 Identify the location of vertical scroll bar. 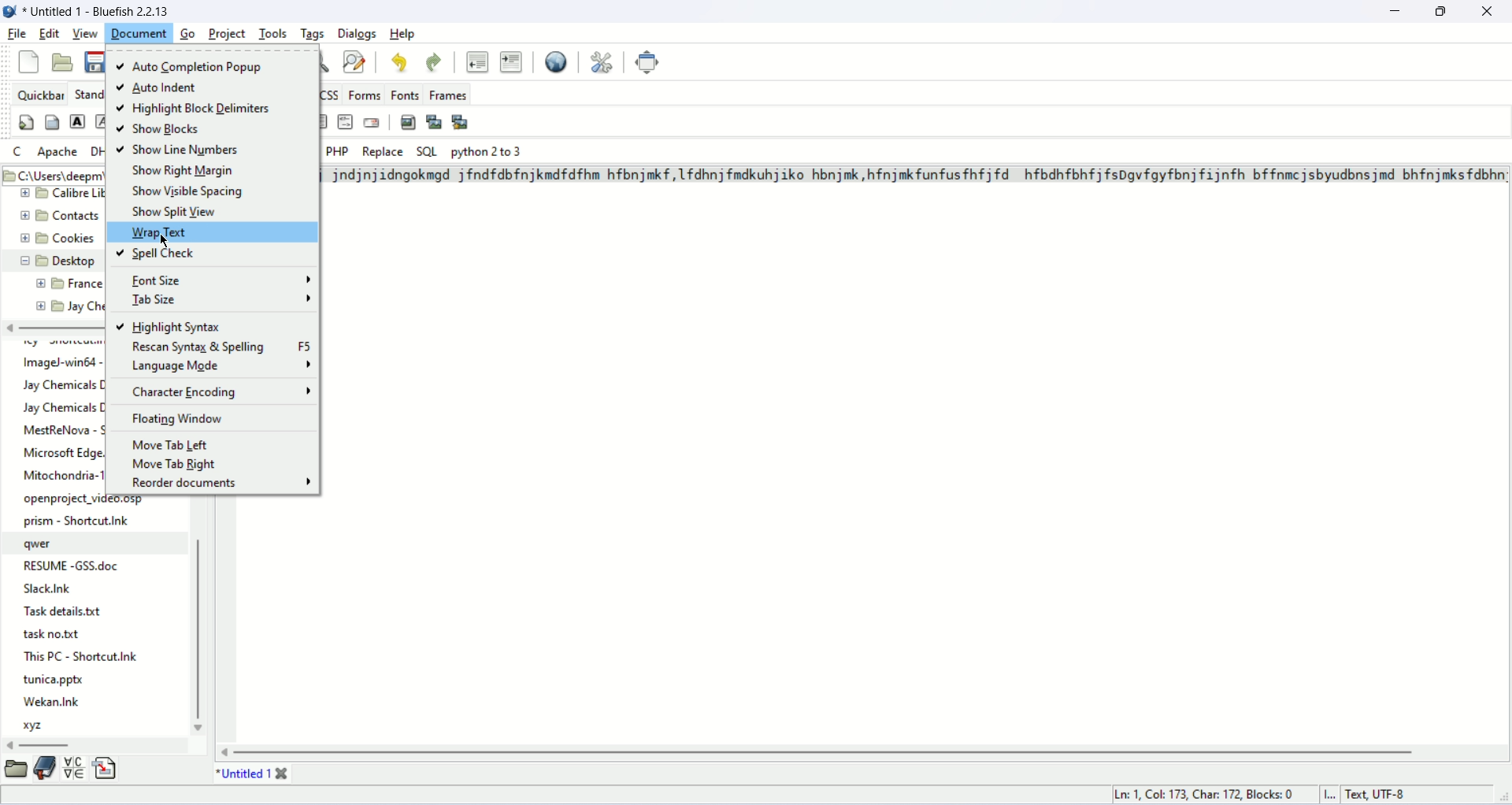
(201, 632).